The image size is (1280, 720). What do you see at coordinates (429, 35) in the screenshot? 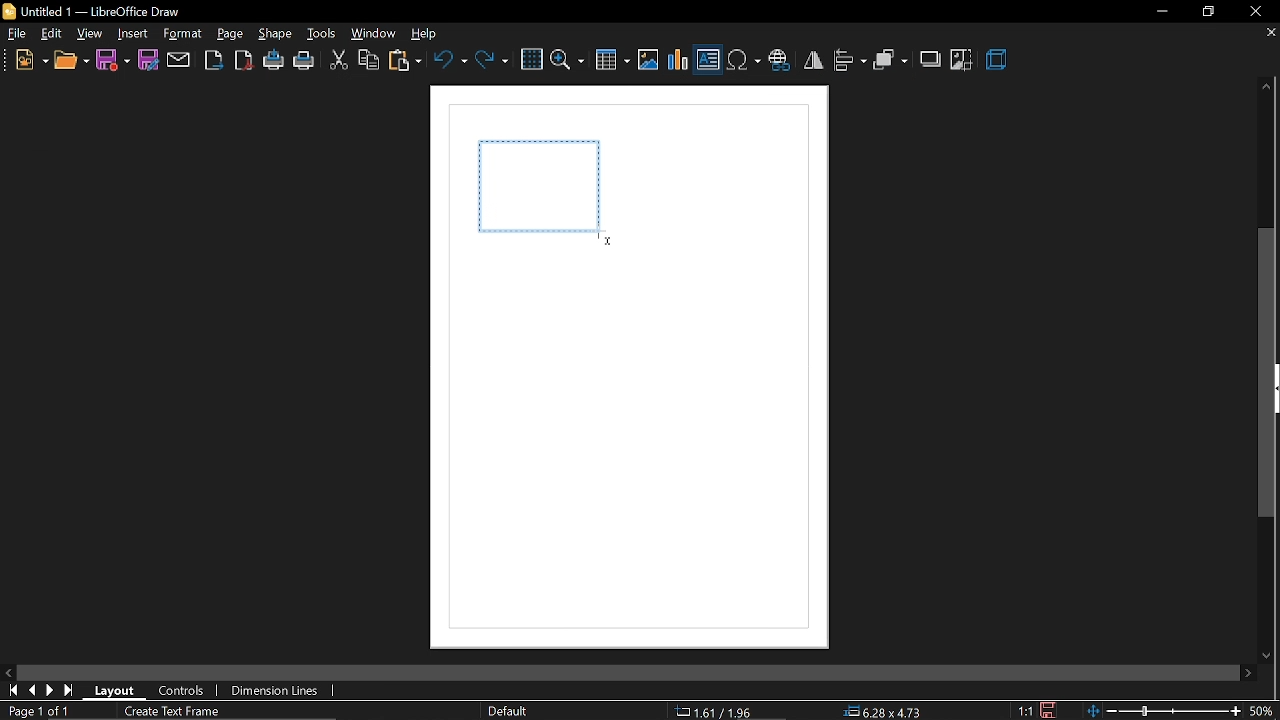
I see `help` at bounding box center [429, 35].